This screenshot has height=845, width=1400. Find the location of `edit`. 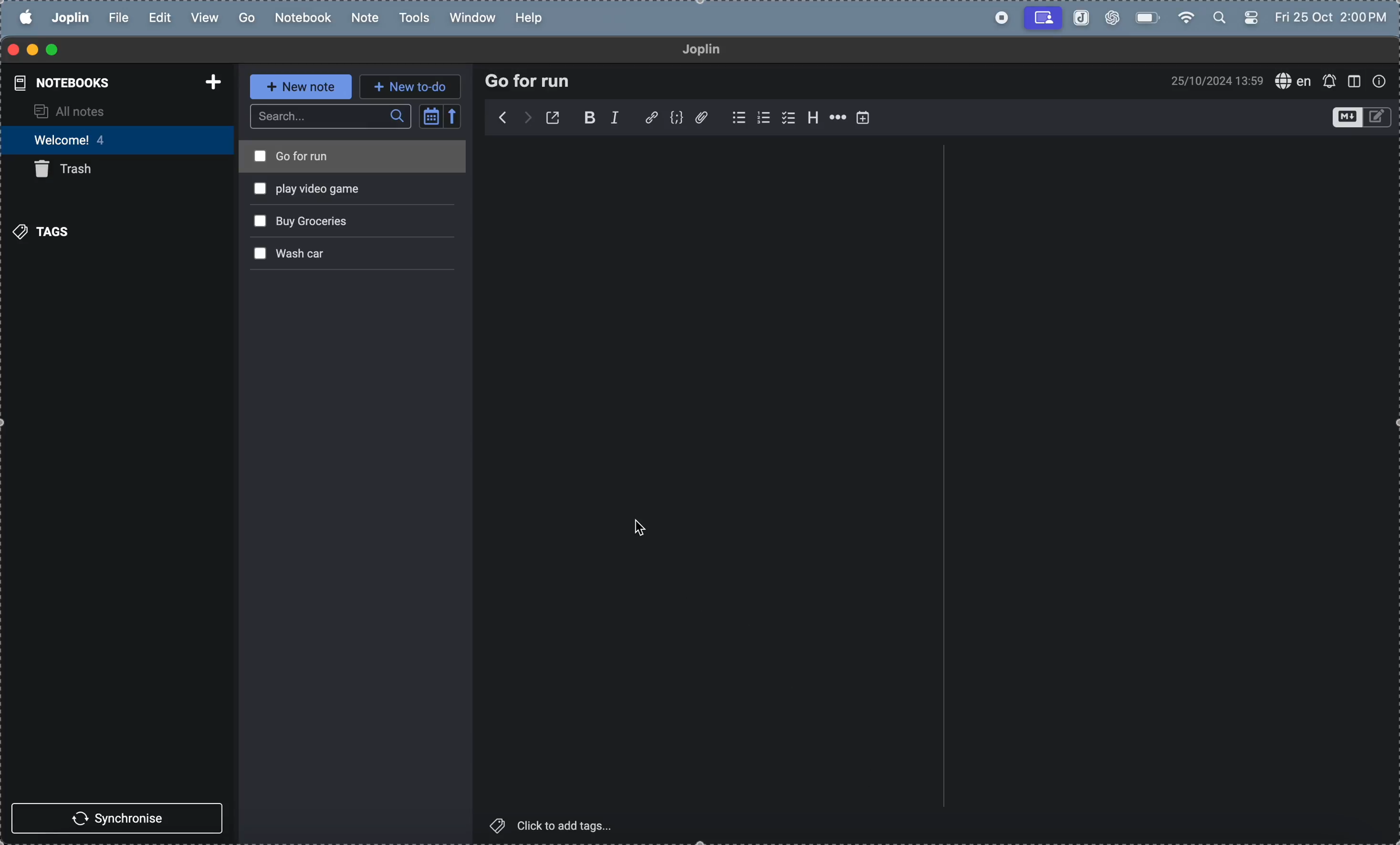

edit is located at coordinates (158, 17).